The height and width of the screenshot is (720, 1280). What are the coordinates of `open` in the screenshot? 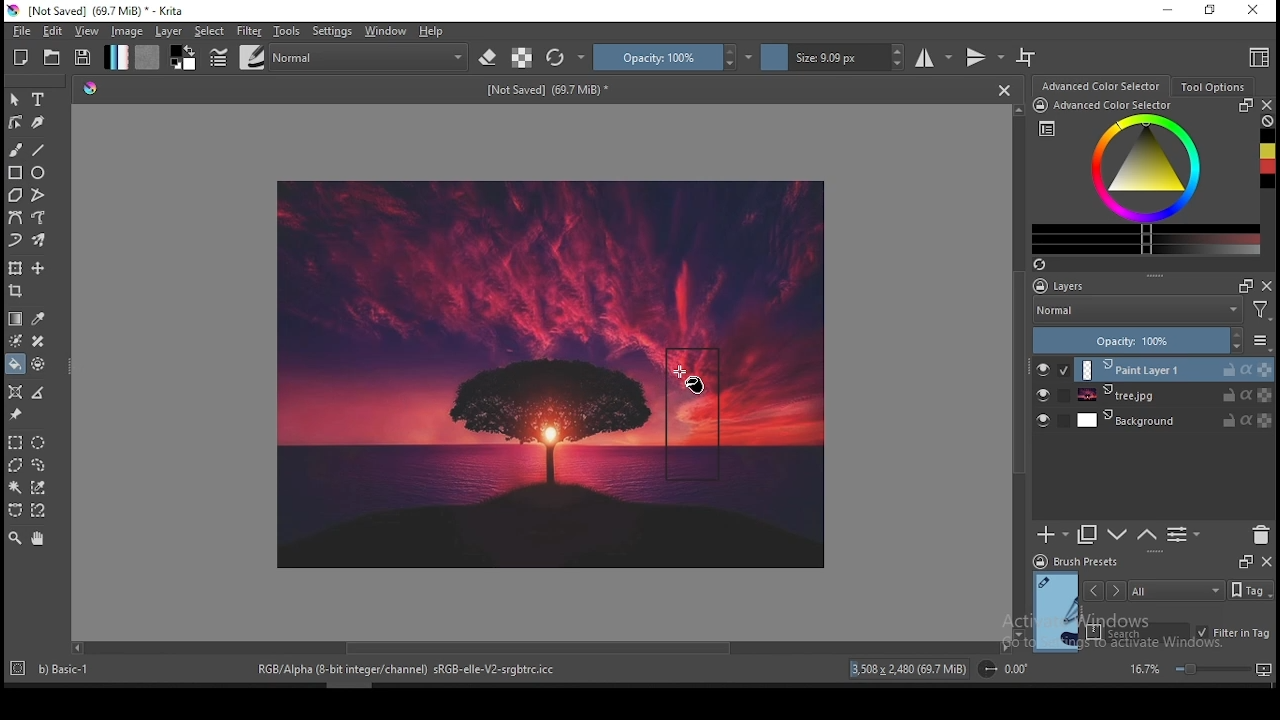 It's located at (54, 57).